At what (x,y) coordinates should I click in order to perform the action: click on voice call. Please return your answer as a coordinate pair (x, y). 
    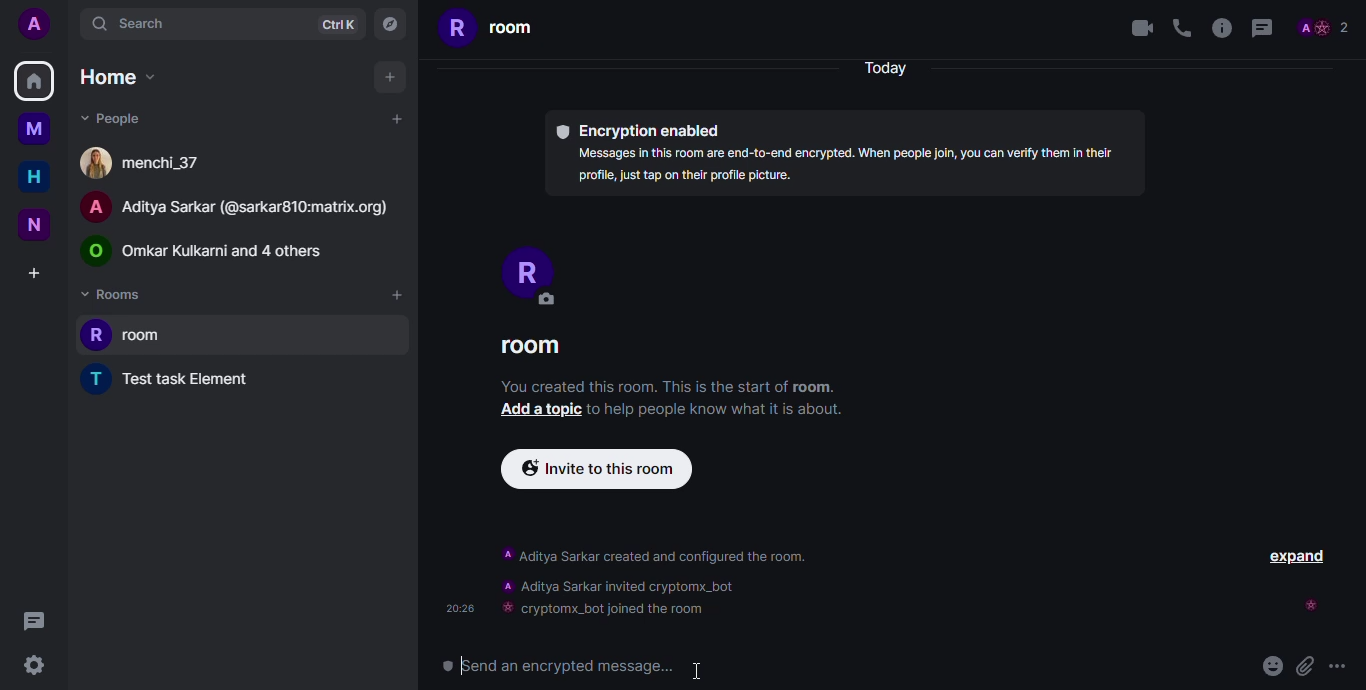
    Looking at the image, I should click on (1183, 28).